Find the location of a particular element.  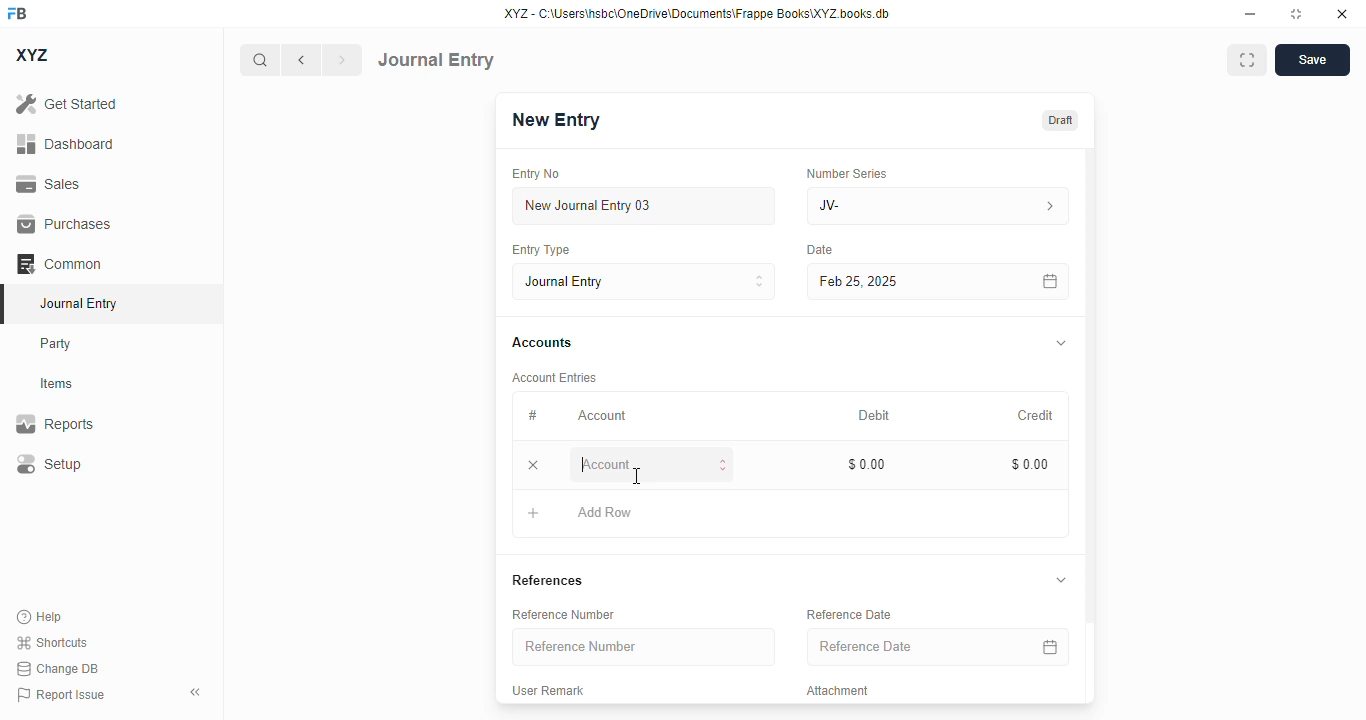

cursor is located at coordinates (638, 476).